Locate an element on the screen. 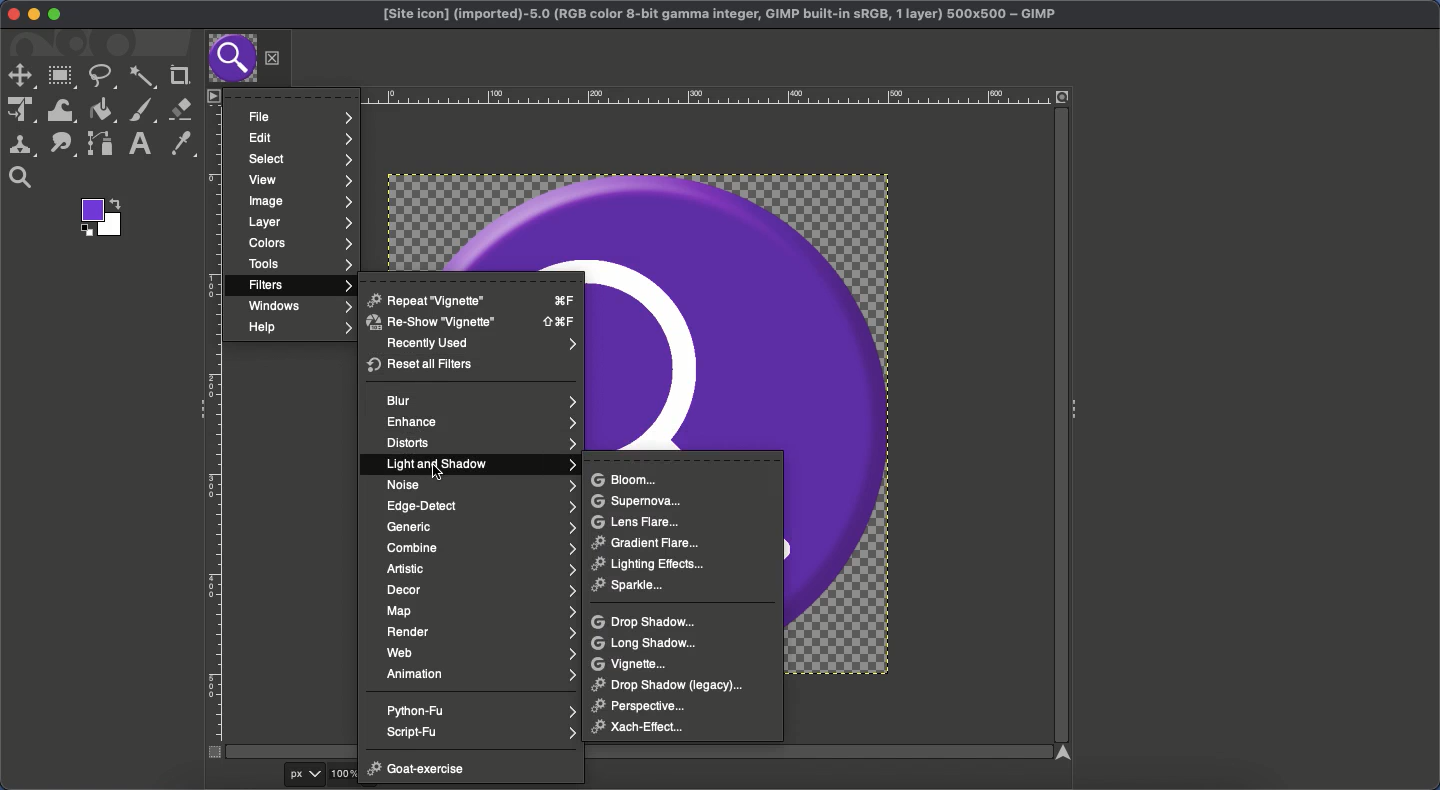 This screenshot has width=1440, height=790. Recently used is located at coordinates (479, 345).